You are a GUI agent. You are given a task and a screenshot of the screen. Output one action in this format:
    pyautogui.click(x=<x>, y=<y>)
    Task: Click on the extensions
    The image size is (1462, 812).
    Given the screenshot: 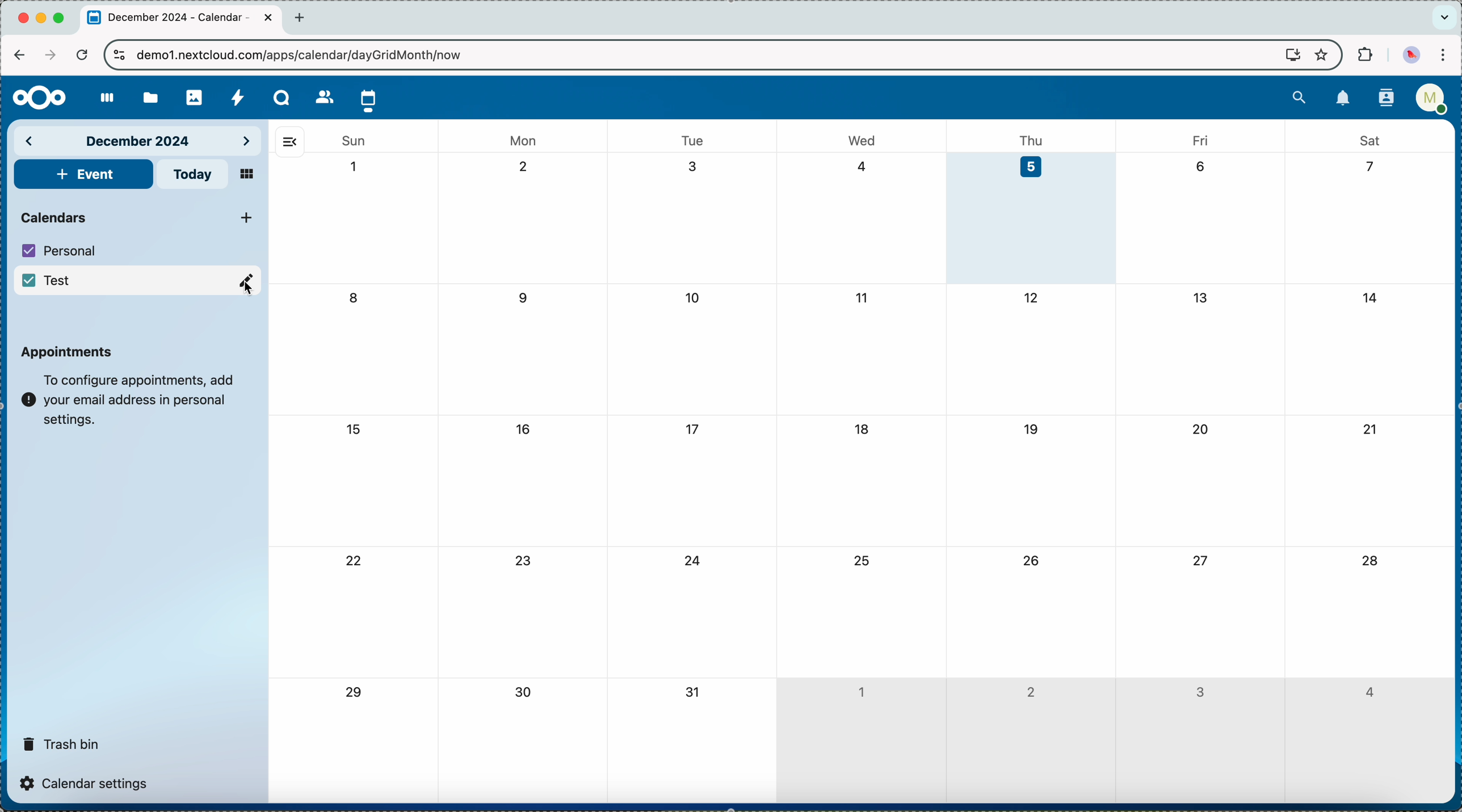 What is the action you would take?
    pyautogui.click(x=1363, y=56)
    